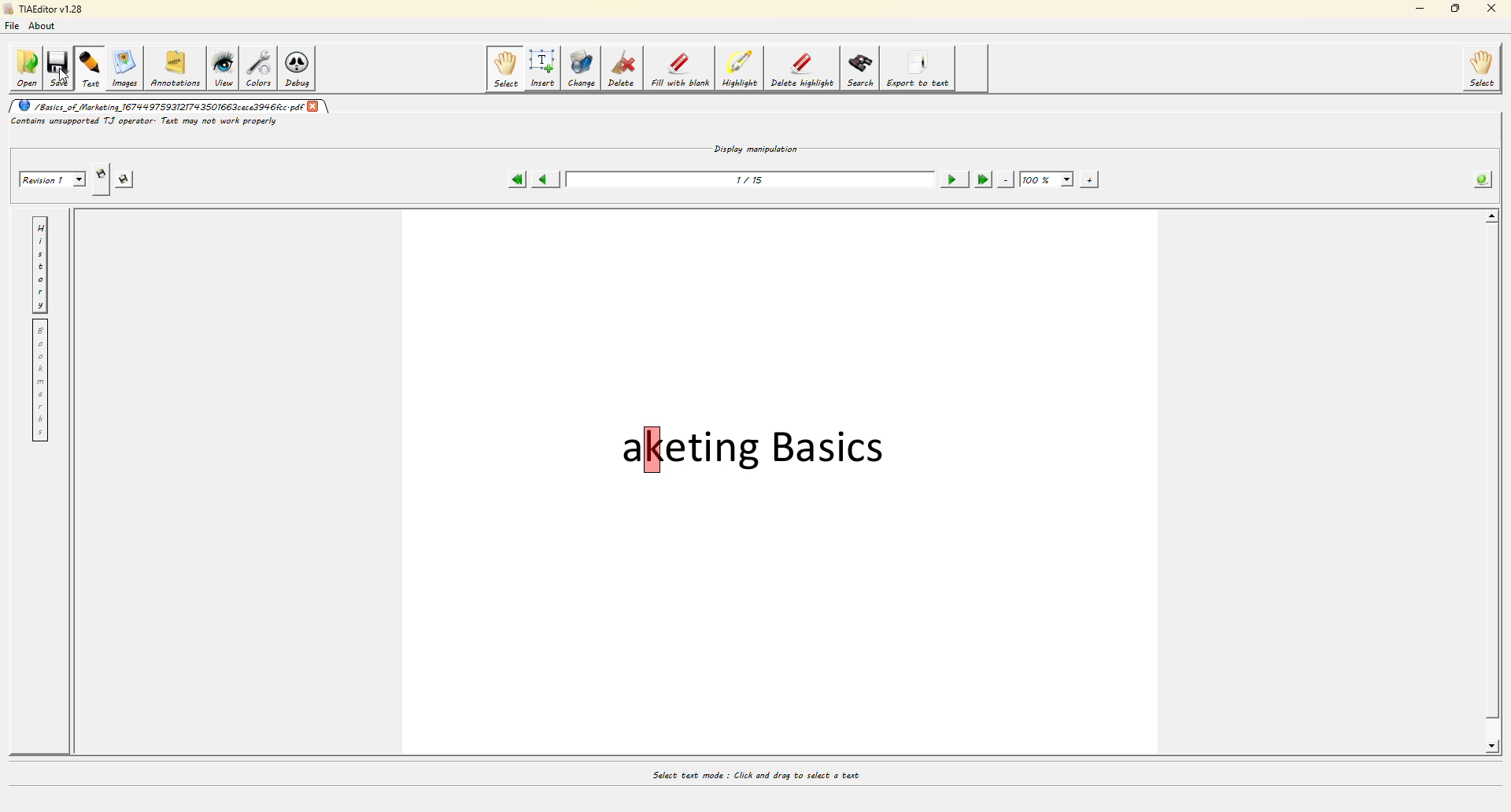 The width and height of the screenshot is (1511, 812). What do you see at coordinates (102, 169) in the screenshot?
I see `creates new revisio` at bounding box center [102, 169].